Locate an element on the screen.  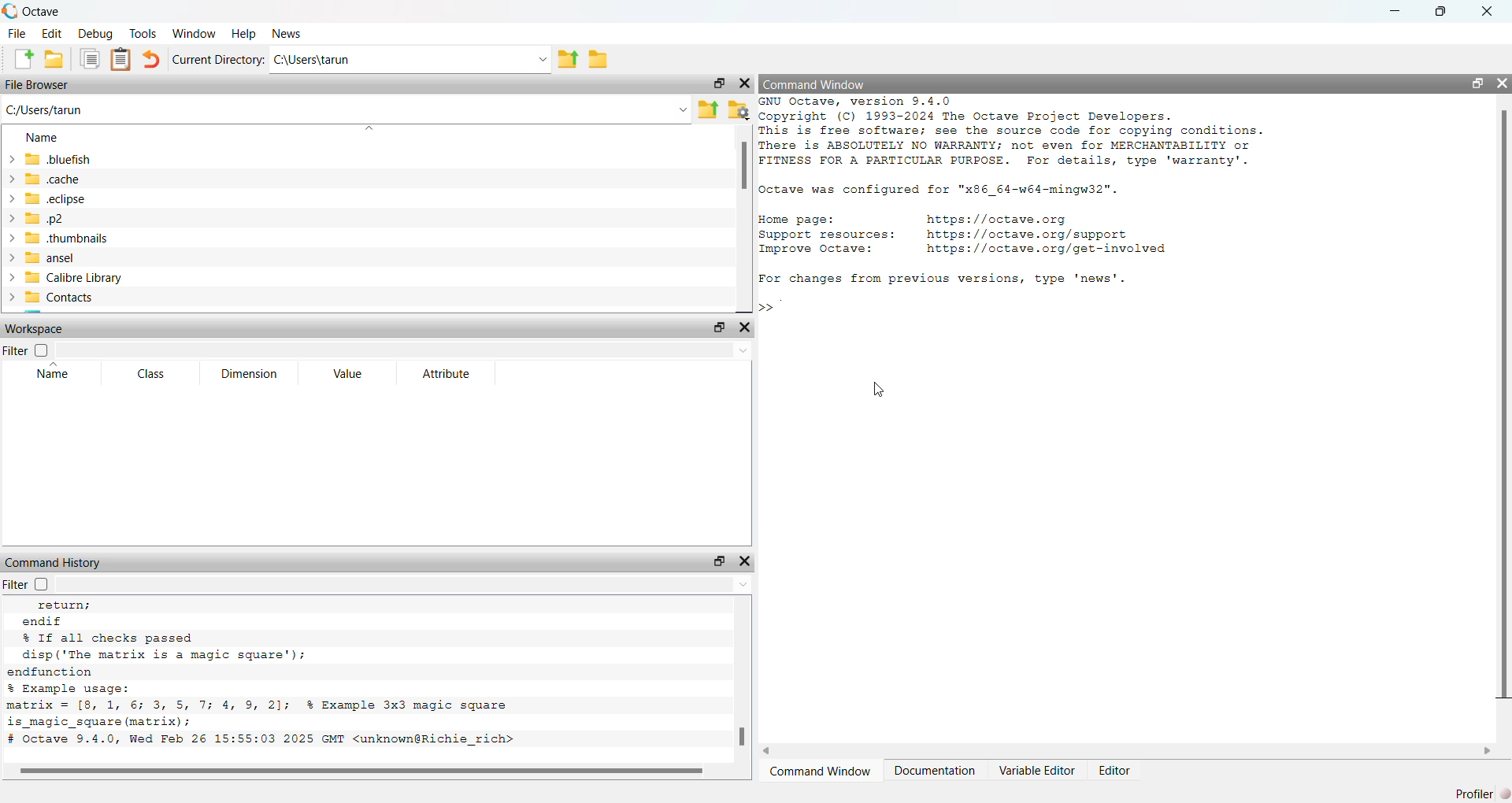
scroll bar is located at coordinates (361, 772).